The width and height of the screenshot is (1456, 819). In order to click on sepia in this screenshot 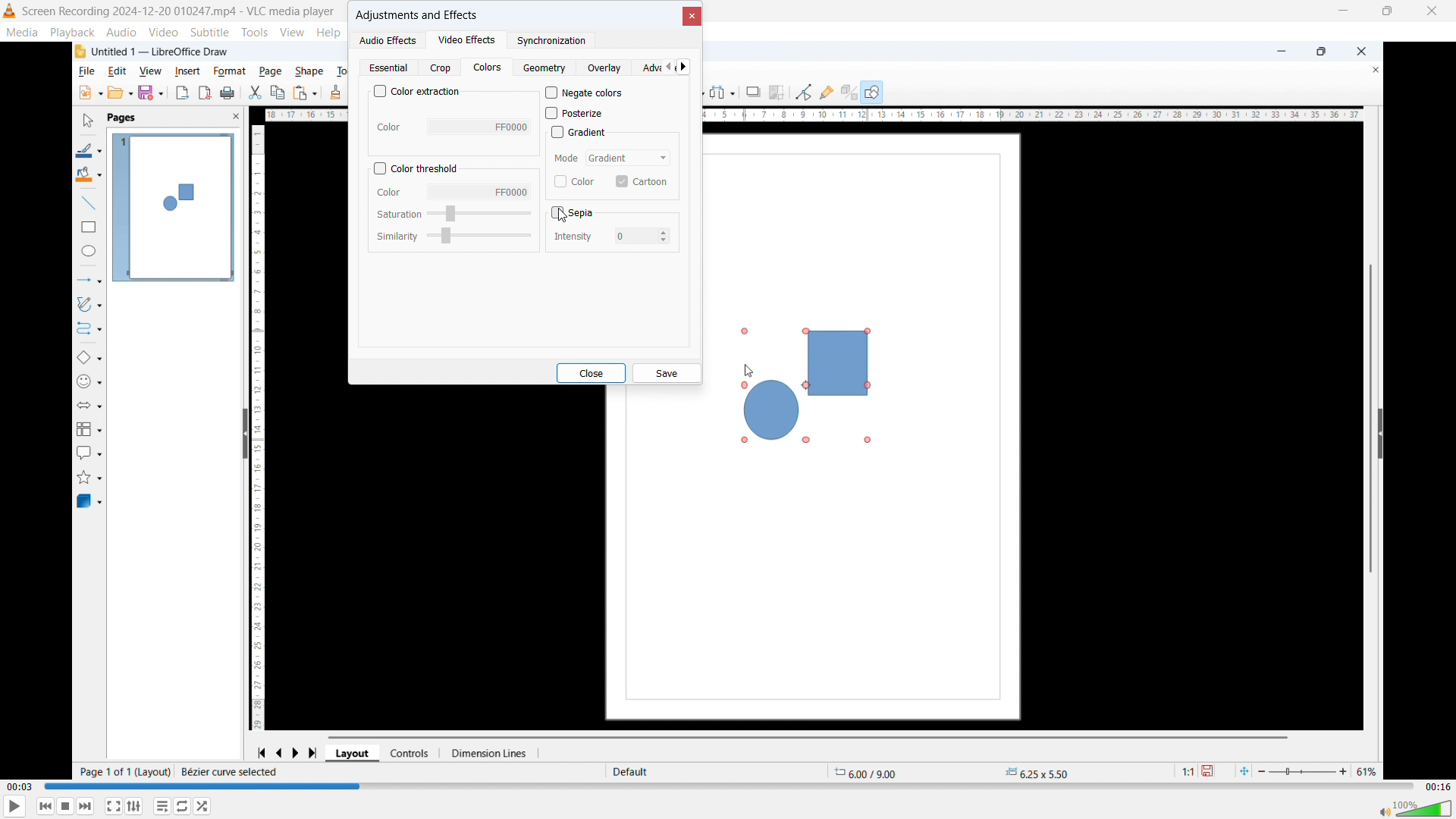, I will do `click(574, 212)`.